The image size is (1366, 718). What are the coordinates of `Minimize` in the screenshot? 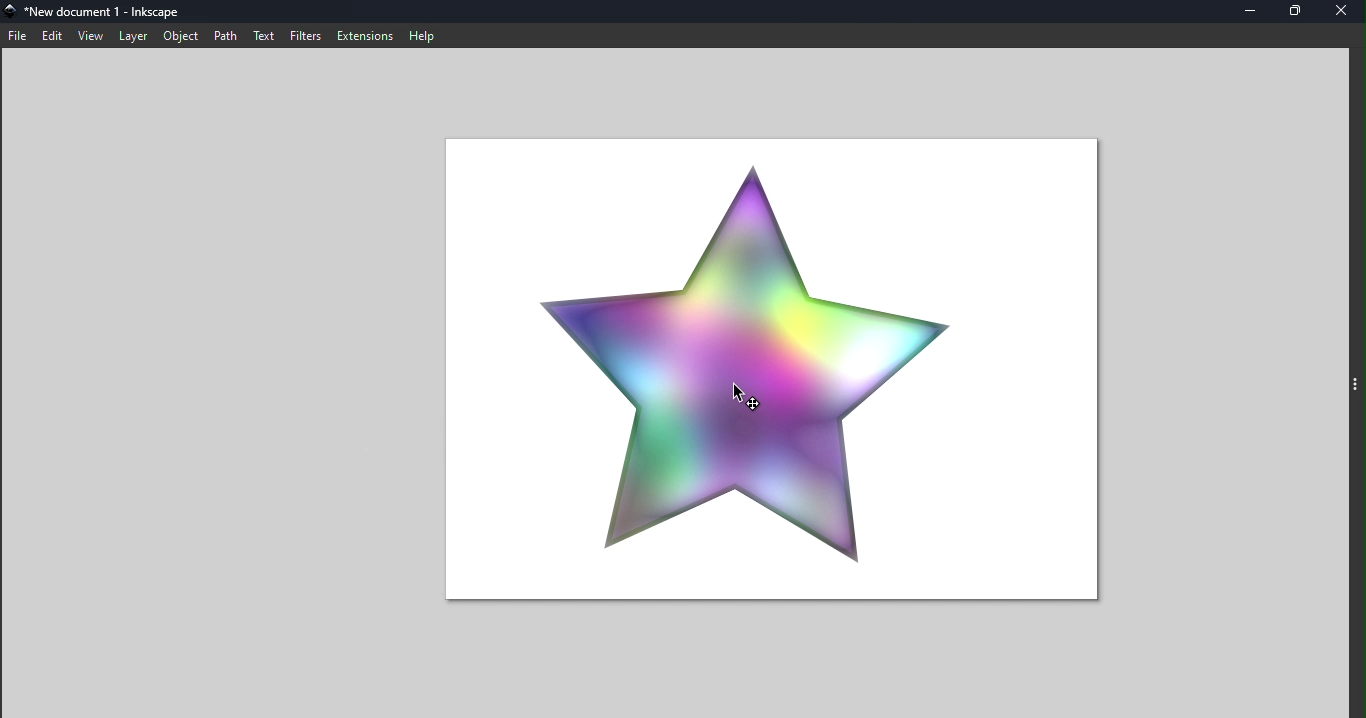 It's located at (1245, 12).